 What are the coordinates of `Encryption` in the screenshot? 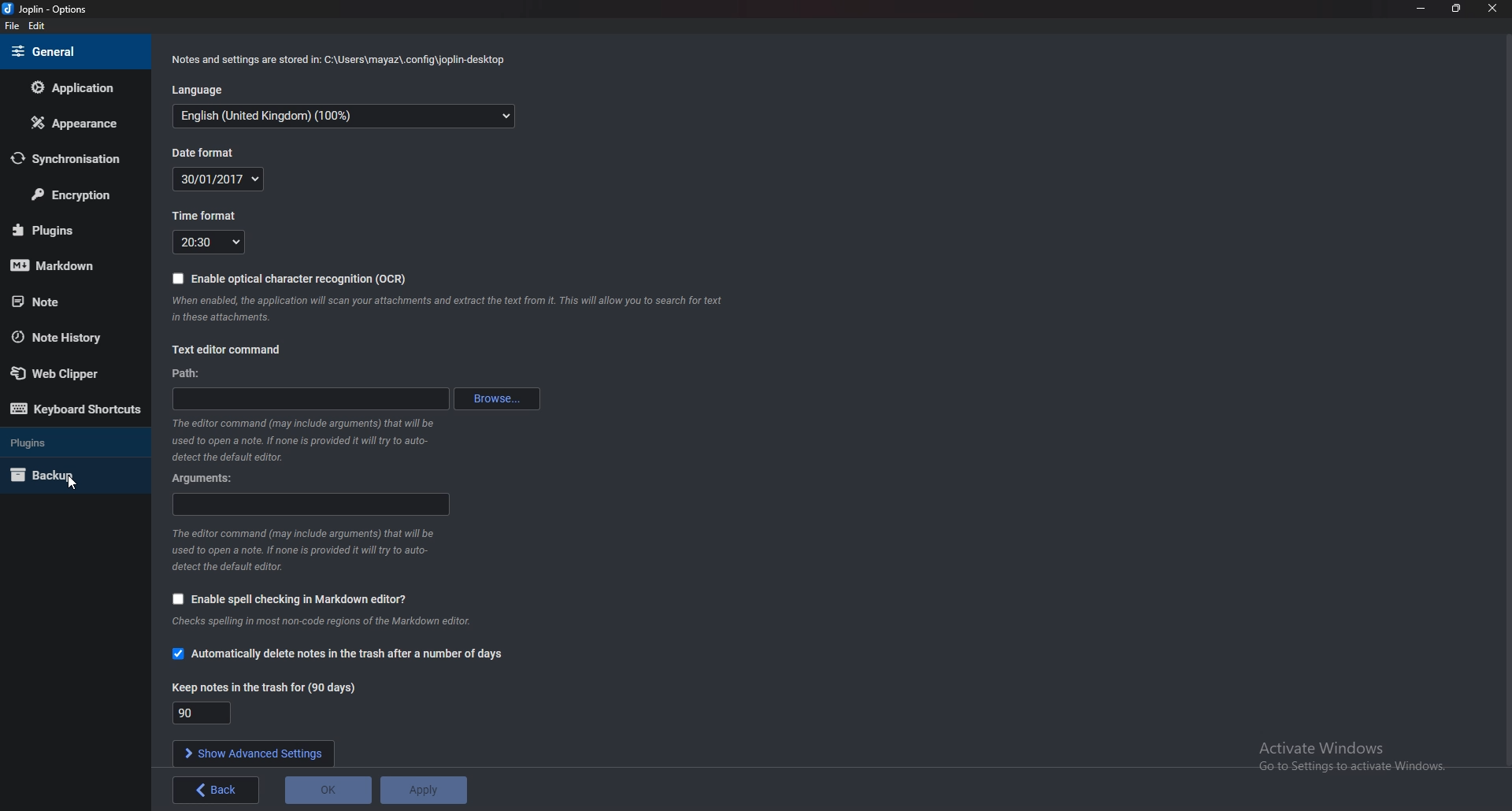 It's located at (77, 194).